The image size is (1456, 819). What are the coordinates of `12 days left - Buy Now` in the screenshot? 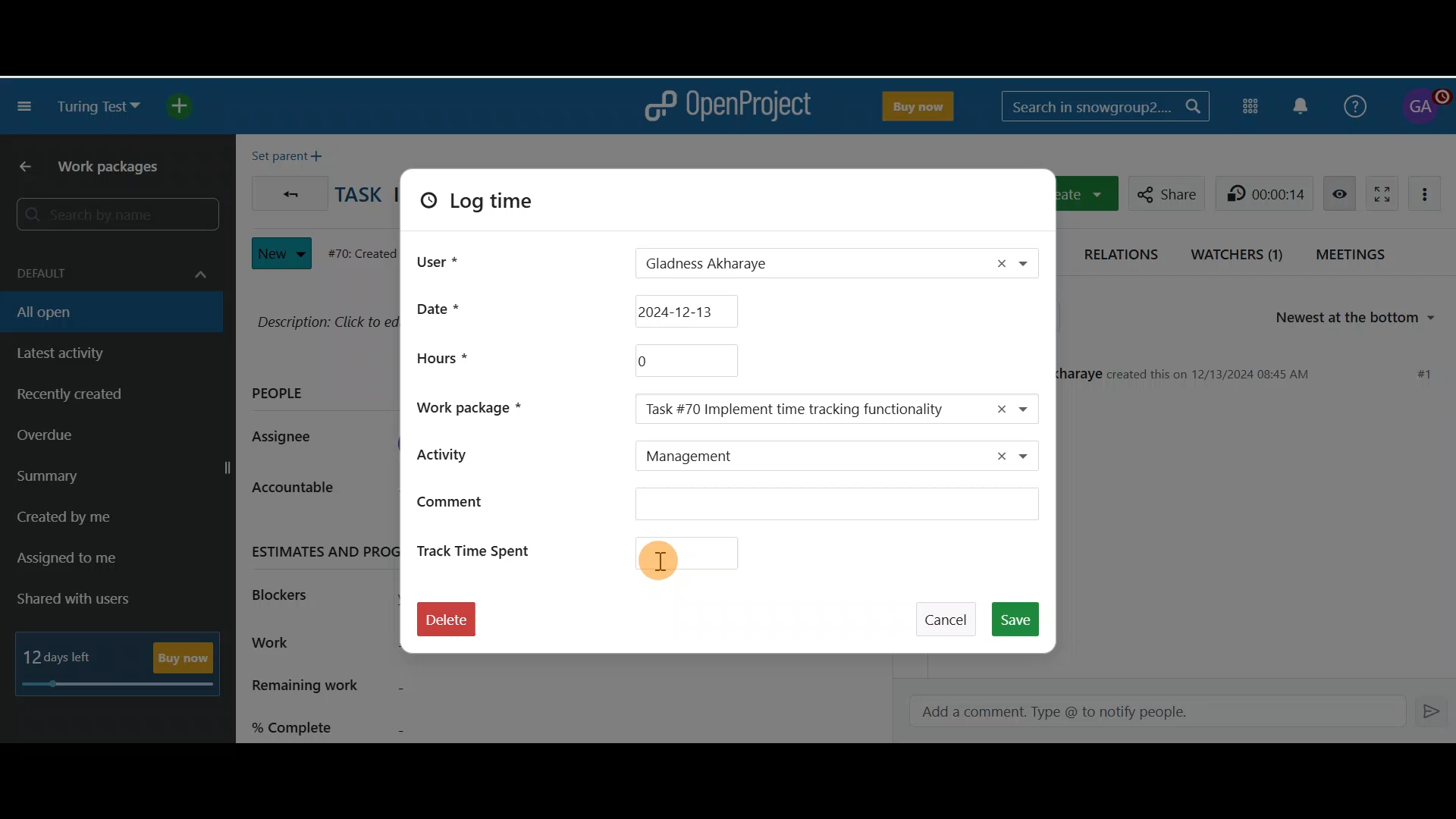 It's located at (123, 660).